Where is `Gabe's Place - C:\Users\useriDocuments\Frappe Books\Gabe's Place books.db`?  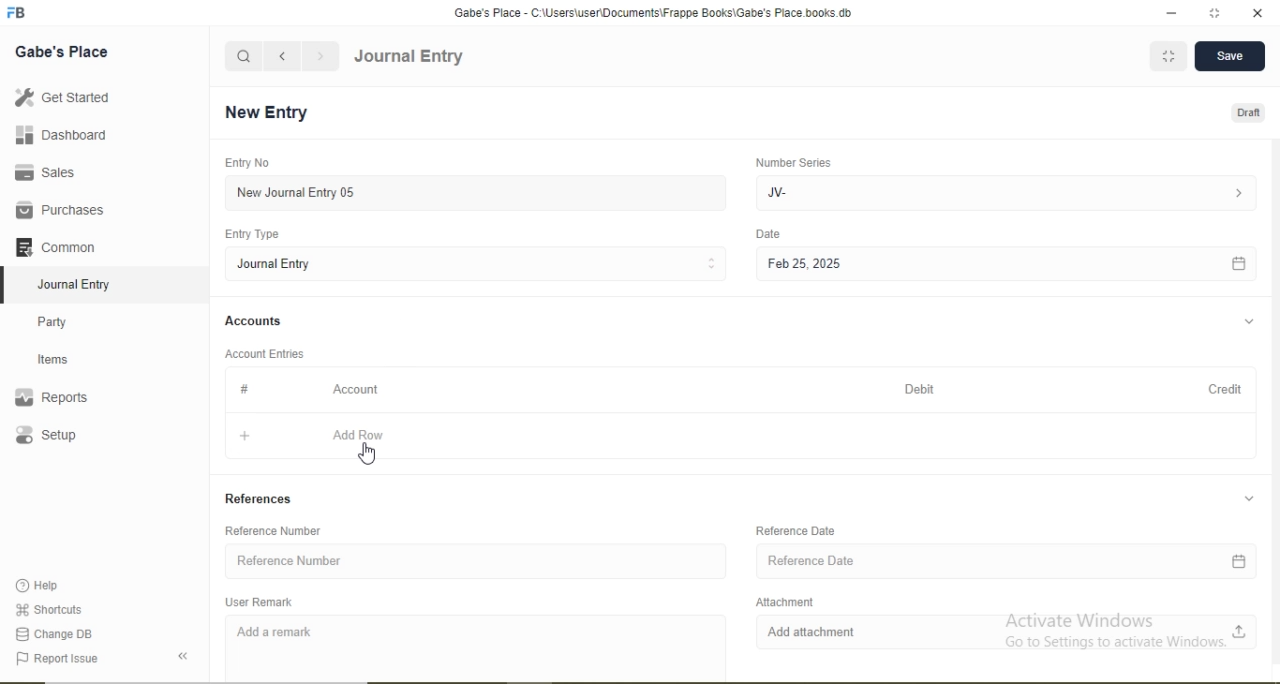
Gabe's Place - C:\Users\useriDocuments\Frappe Books\Gabe's Place books.db is located at coordinates (655, 12).